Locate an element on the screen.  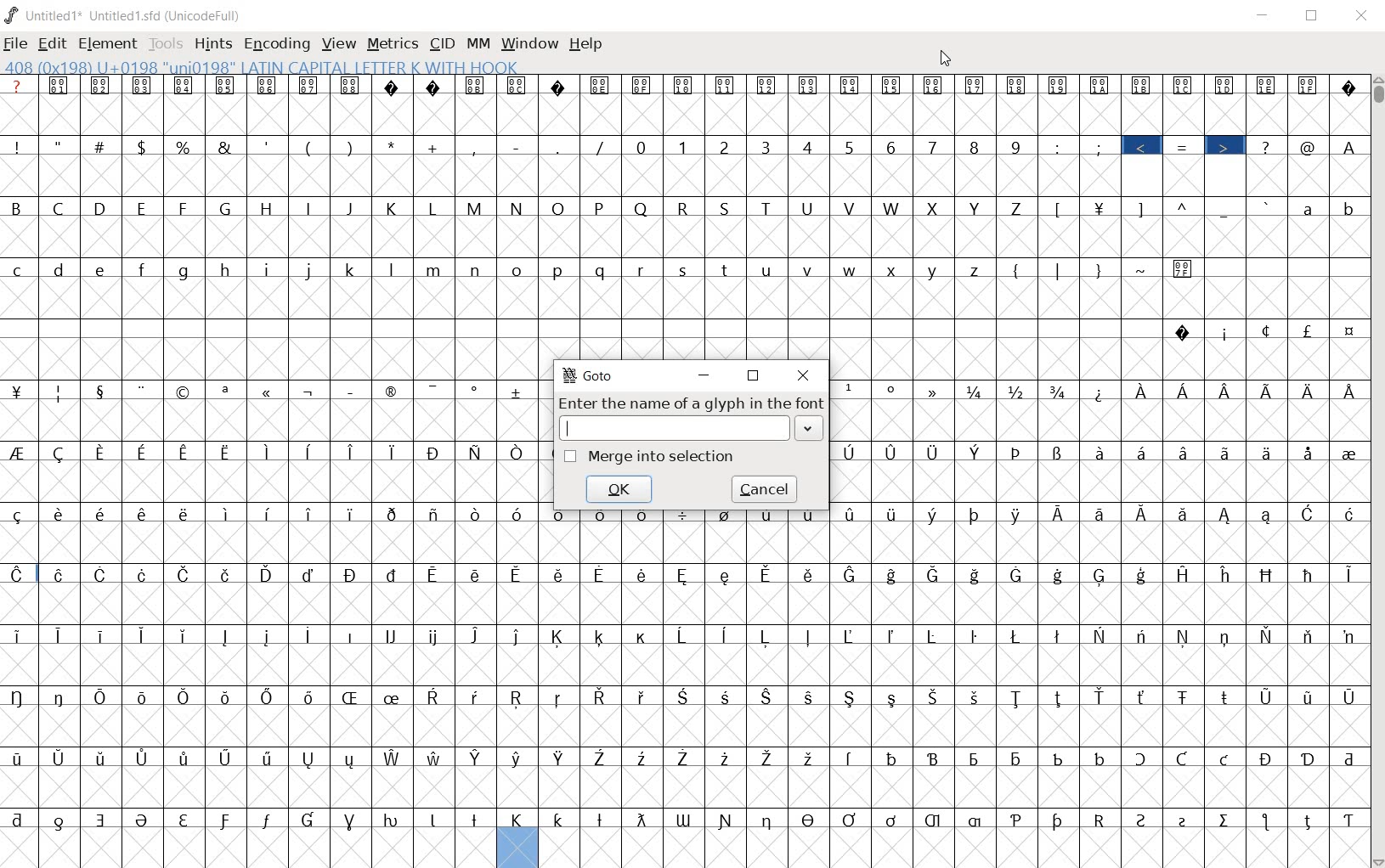
special symbols is located at coordinates (275, 390).